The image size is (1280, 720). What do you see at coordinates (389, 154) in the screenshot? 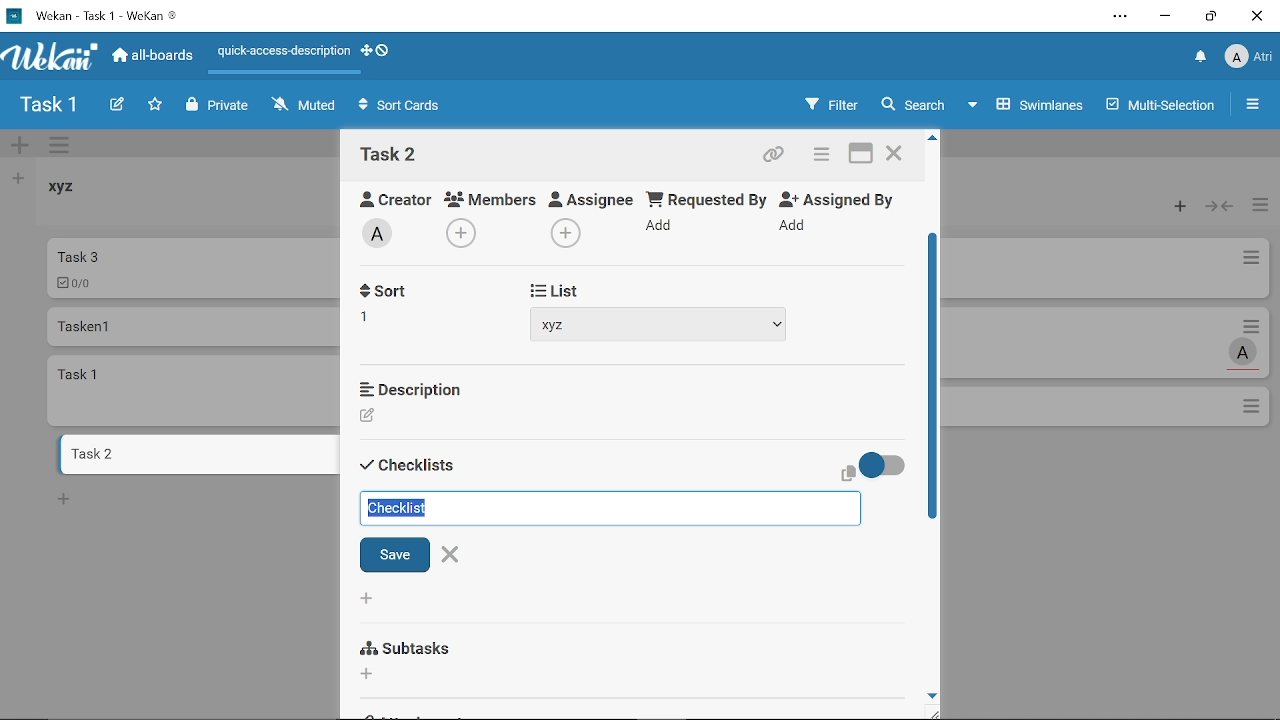
I see `Card name` at bounding box center [389, 154].